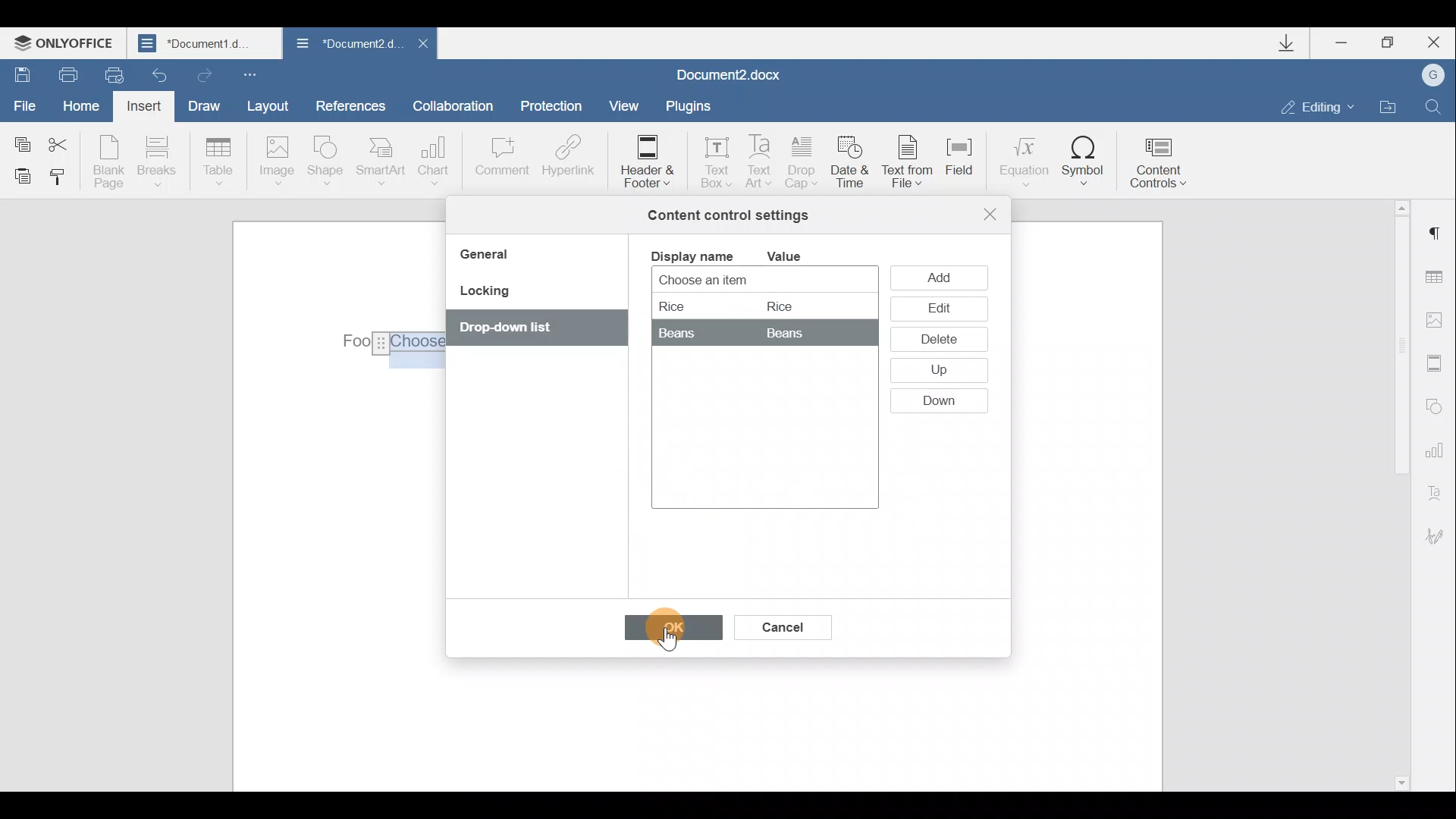 The image size is (1456, 819). I want to click on Equation, so click(1022, 158).